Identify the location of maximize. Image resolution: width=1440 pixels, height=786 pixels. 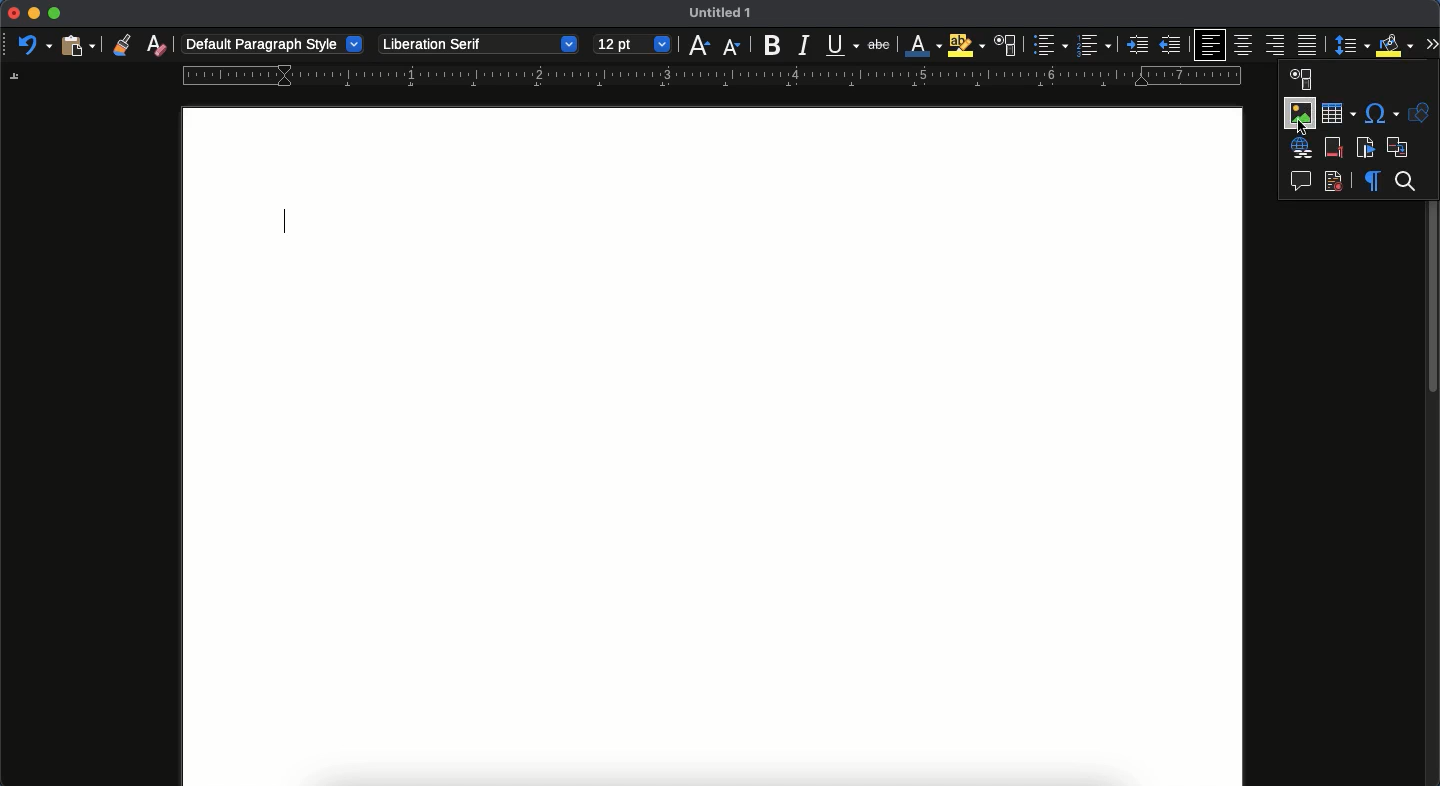
(56, 12).